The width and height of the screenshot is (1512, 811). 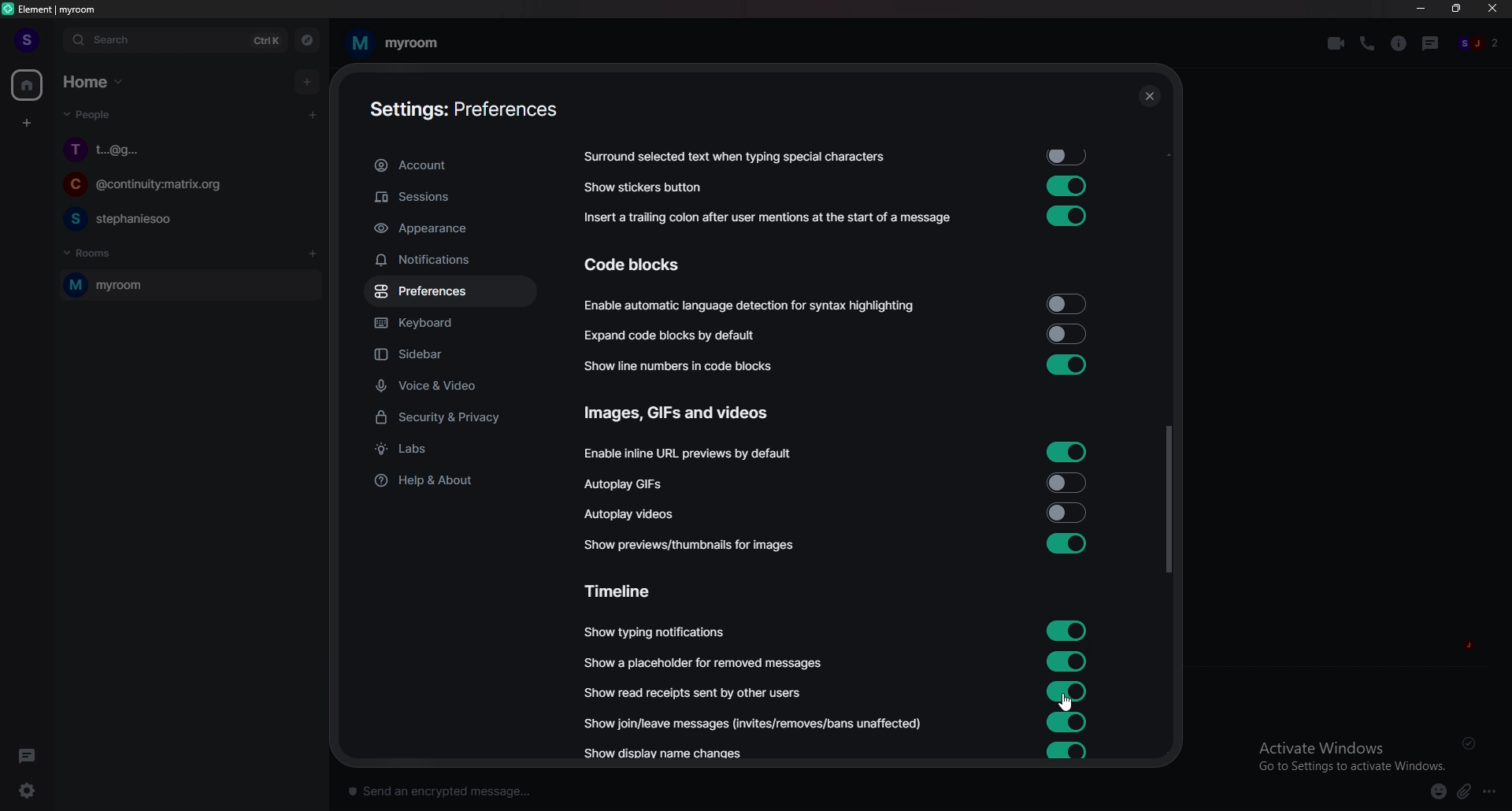 I want to click on enable automatic language detection, so click(x=751, y=307).